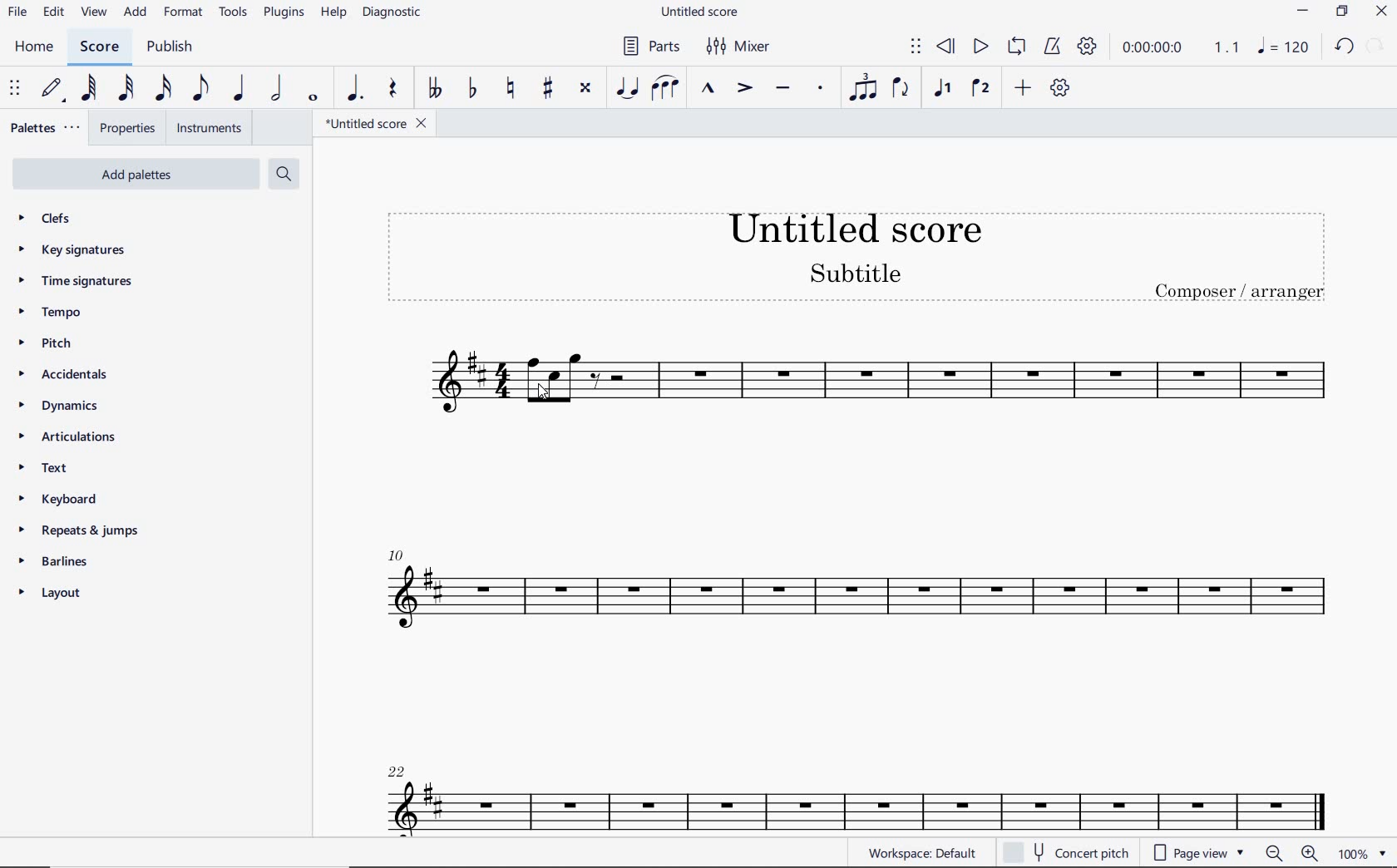 Image resolution: width=1397 pixels, height=868 pixels. I want to click on FLIP DIRECTION, so click(904, 90).